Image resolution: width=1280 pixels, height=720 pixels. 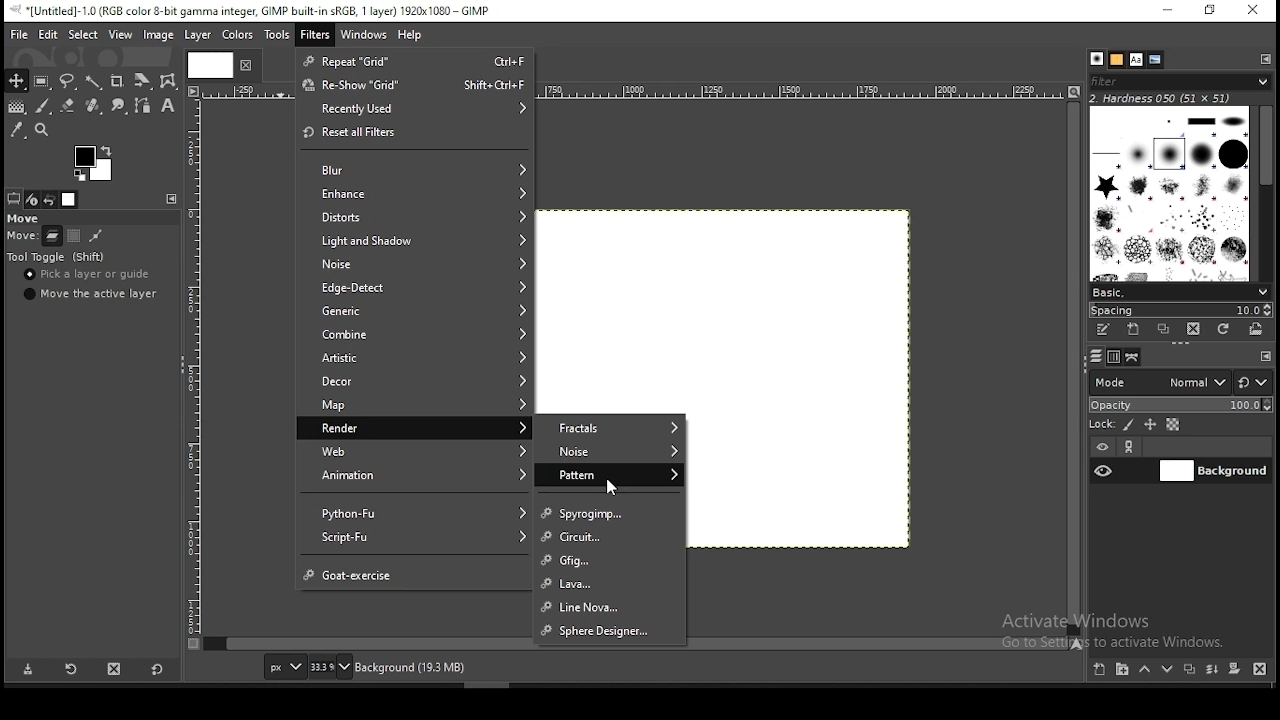 I want to click on vertical scale, so click(x=197, y=375).